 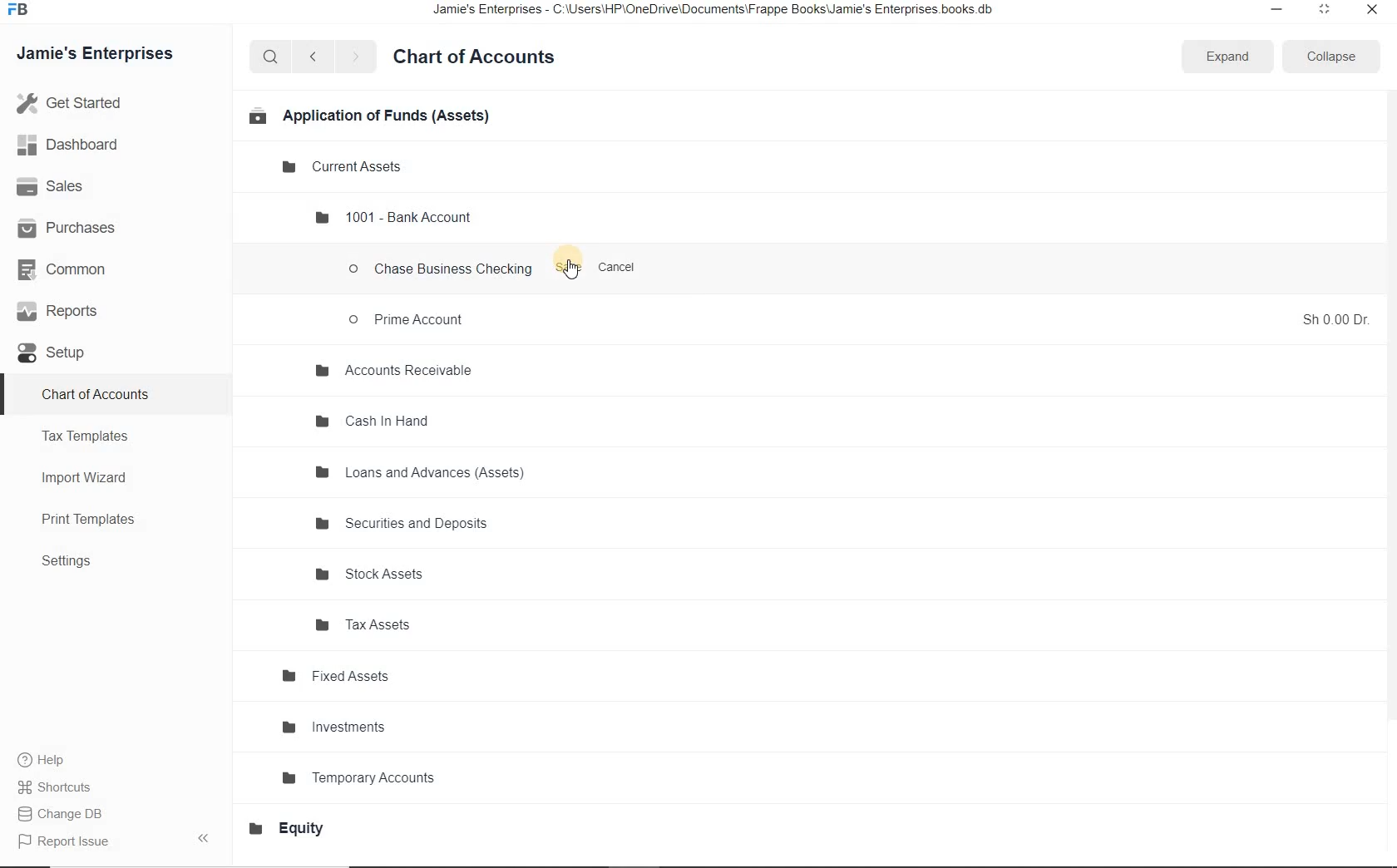 What do you see at coordinates (106, 103) in the screenshot?
I see `Get Started` at bounding box center [106, 103].